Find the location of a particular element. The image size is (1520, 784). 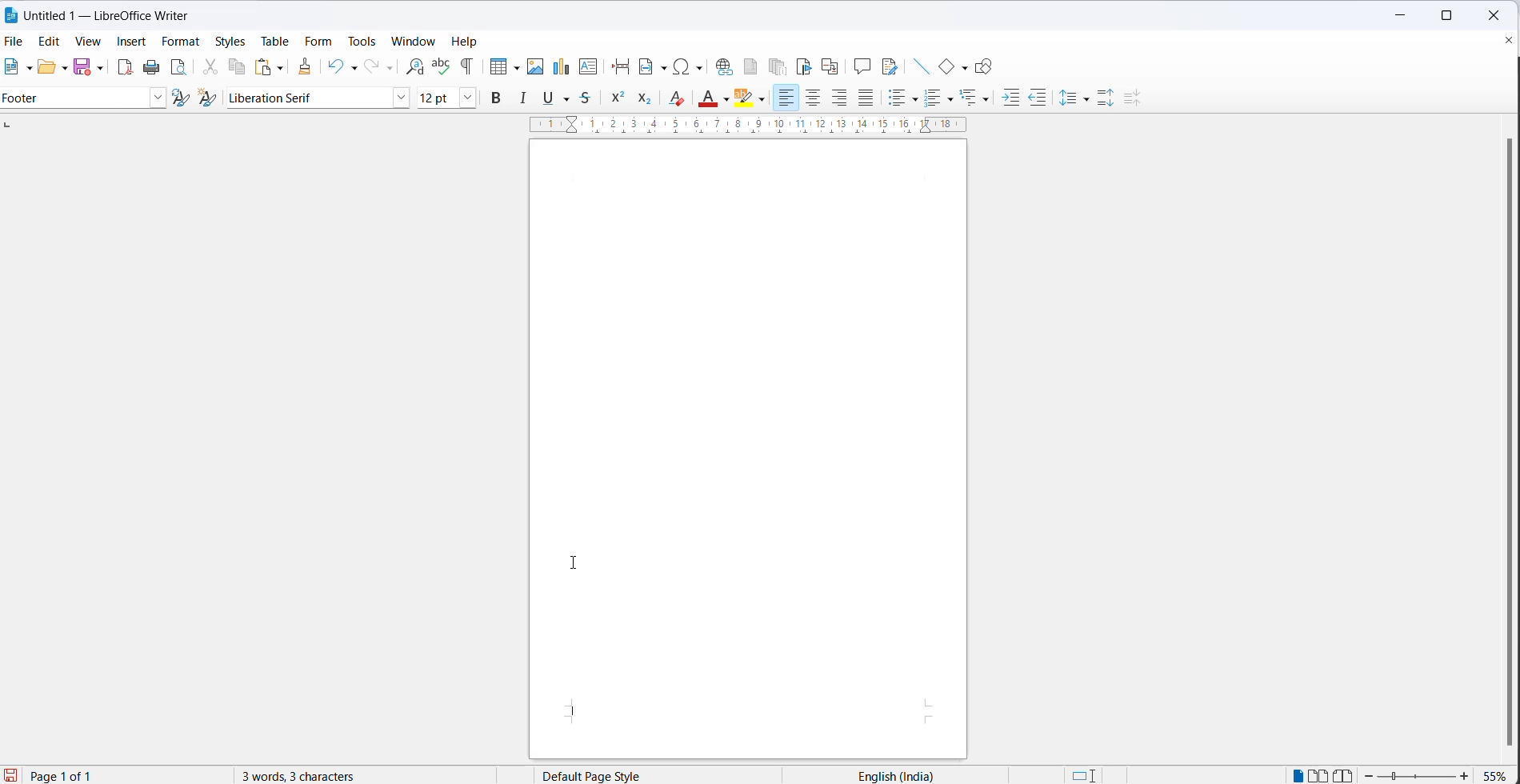

print preview is located at coordinates (178, 68).